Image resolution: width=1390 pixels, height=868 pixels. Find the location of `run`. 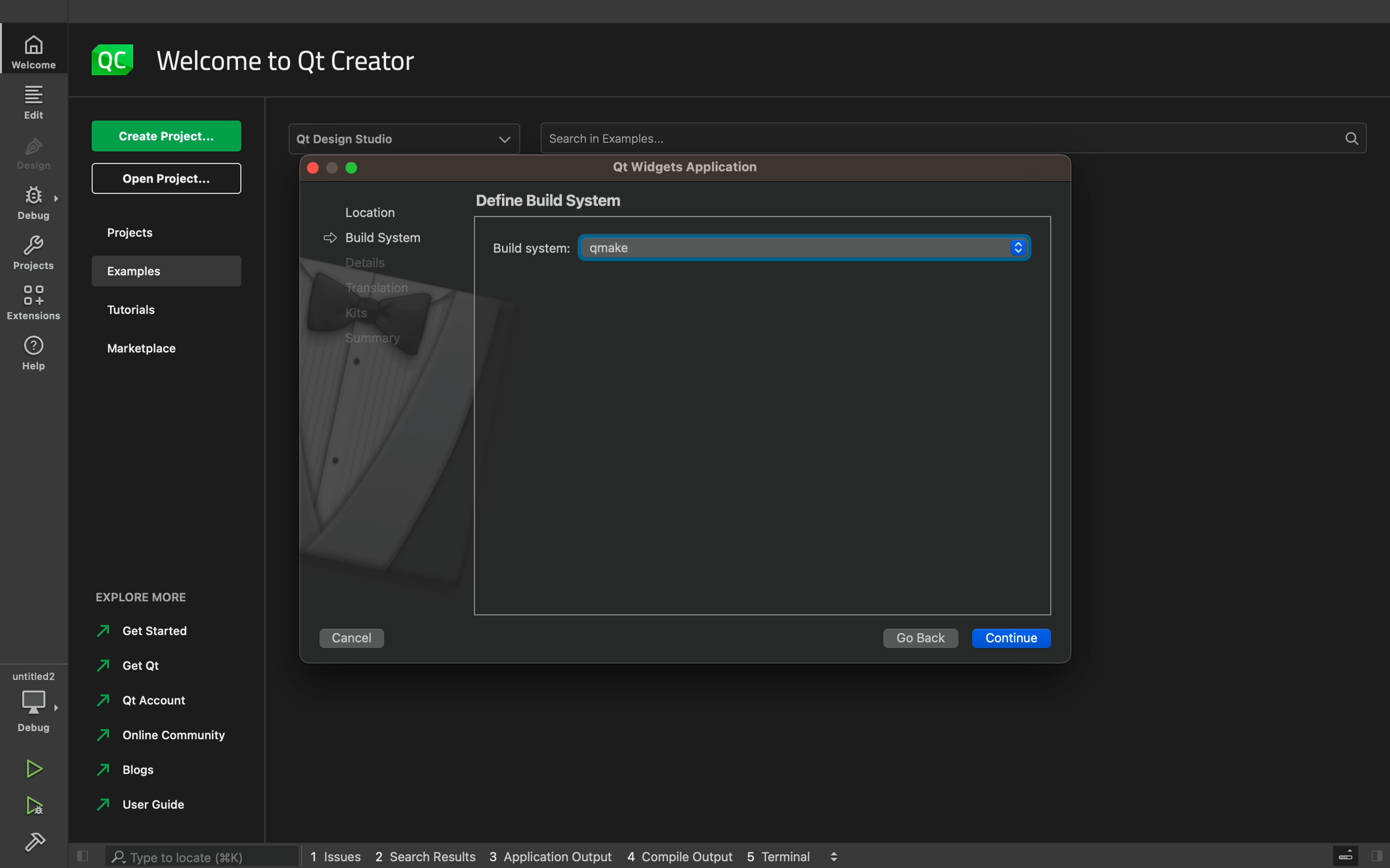

run is located at coordinates (34, 764).